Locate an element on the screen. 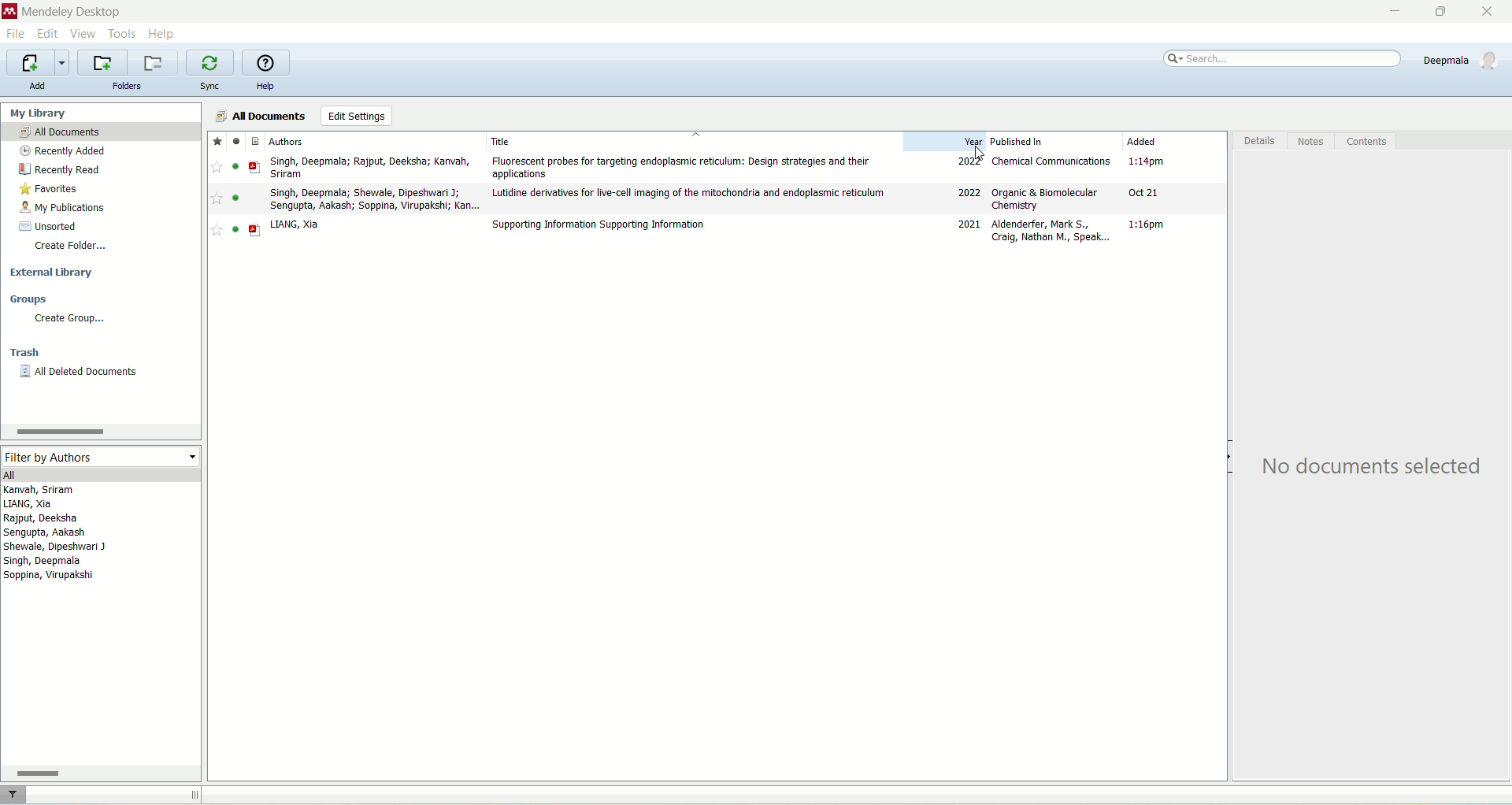 The height and width of the screenshot is (805, 1512). cursor is located at coordinates (981, 155).